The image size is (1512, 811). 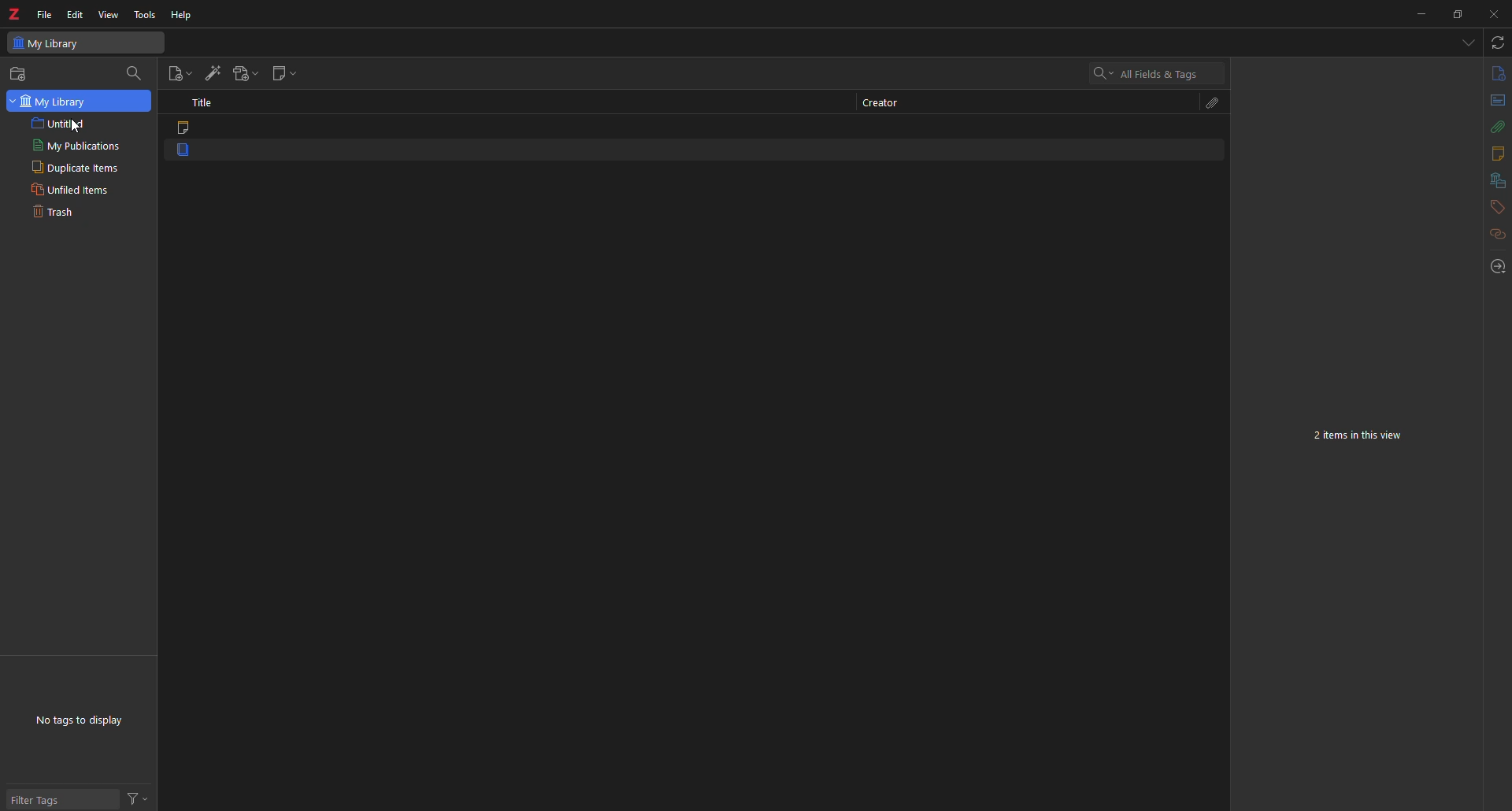 What do you see at coordinates (72, 191) in the screenshot?
I see `unfiled items` at bounding box center [72, 191].